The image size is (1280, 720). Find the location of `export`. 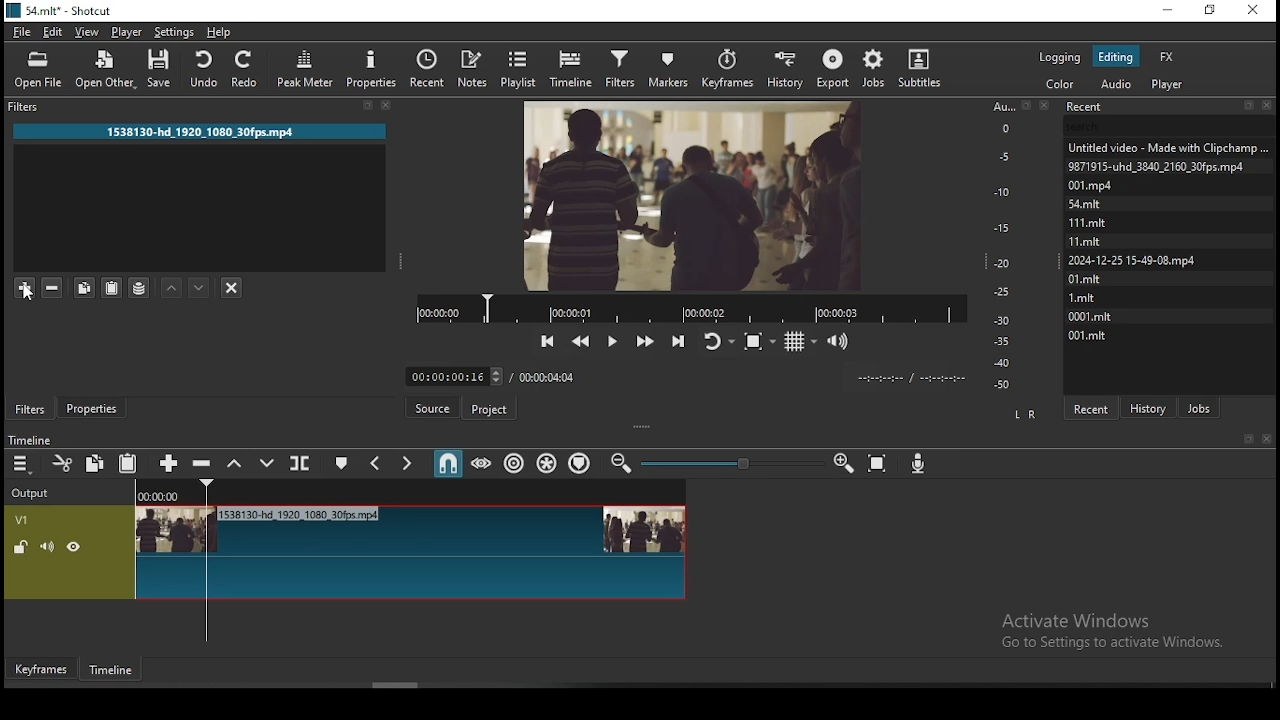

export is located at coordinates (832, 69).